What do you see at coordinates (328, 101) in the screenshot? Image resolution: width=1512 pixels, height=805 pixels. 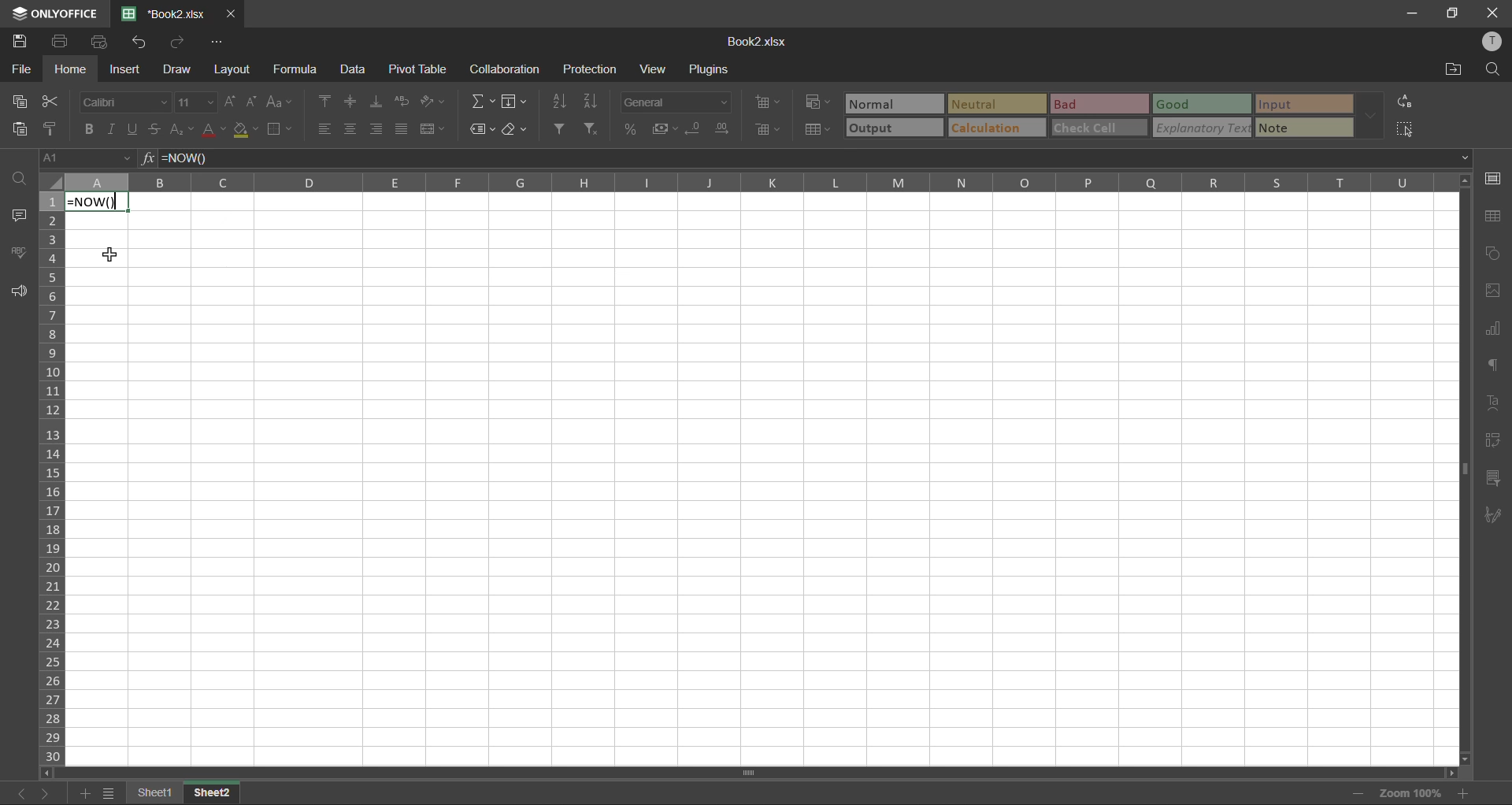 I see `align top` at bounding box center [328, 101].